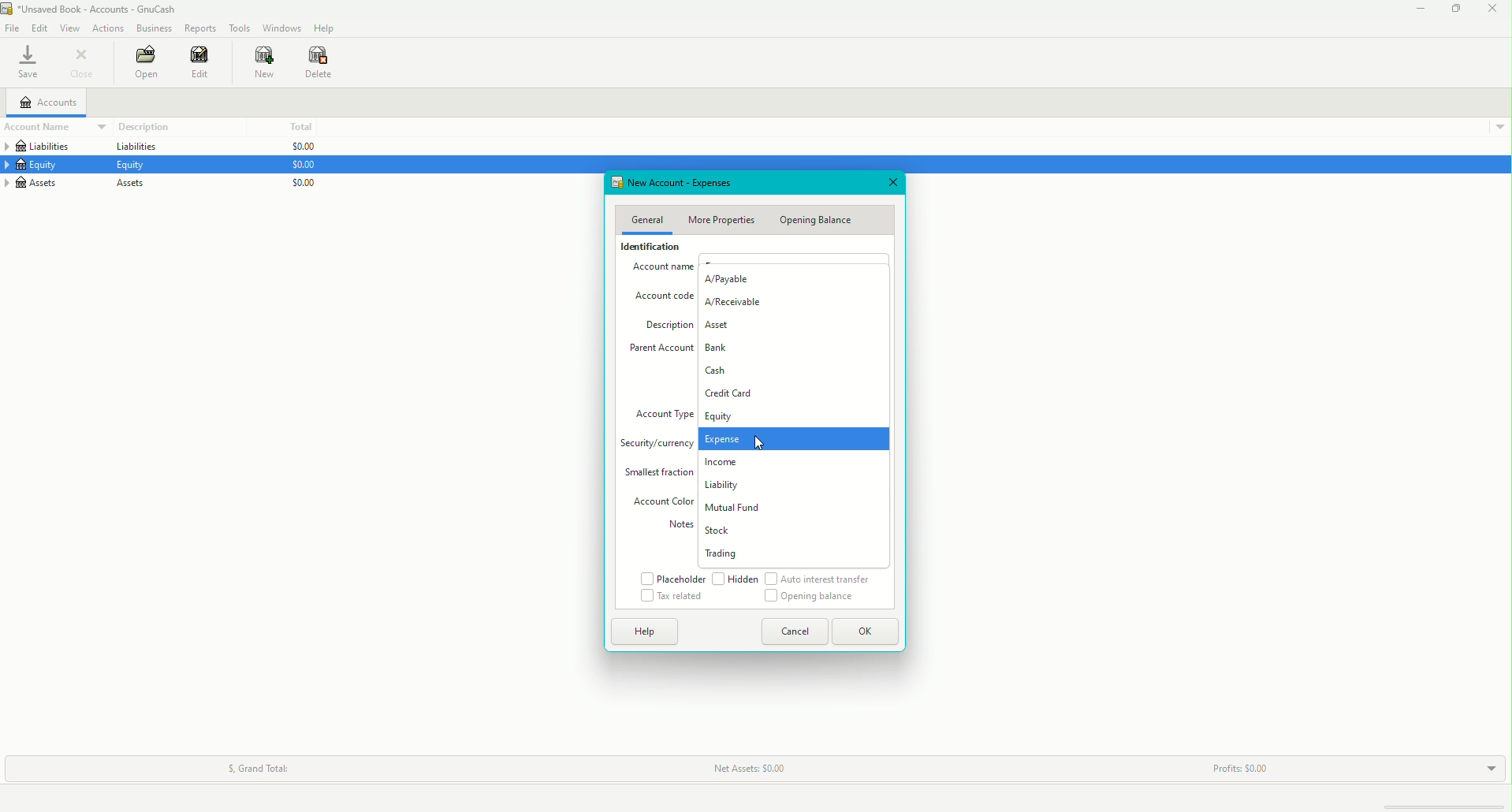 Image resolution: width=1512 pixels, height=812 pixels. What do you see at coordinates (659, 445) in the screenshot?
I see `Security/currency` at bounding box center [659, 445].